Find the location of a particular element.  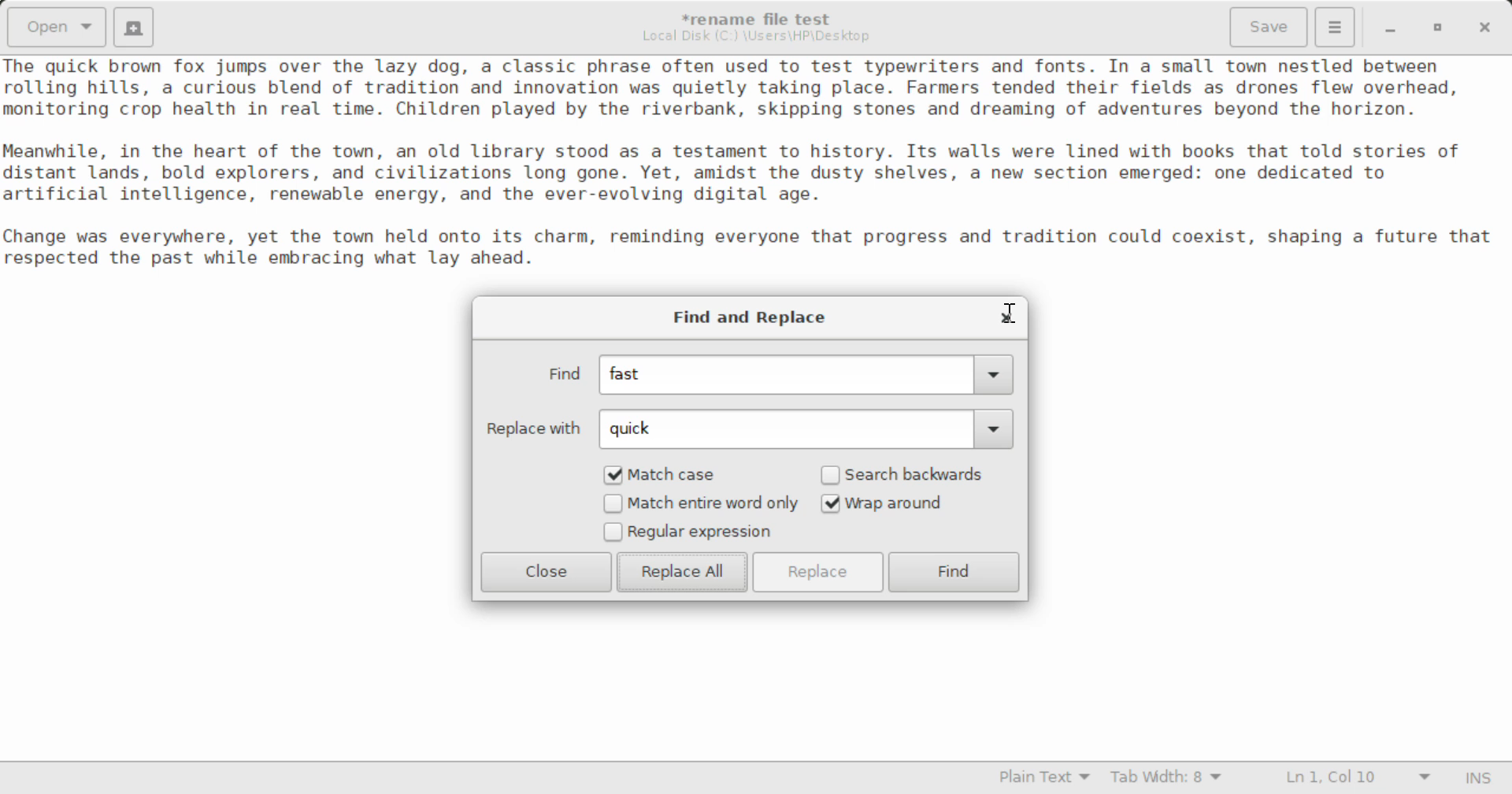

Match entire word only is located at coordinates (700, 505).